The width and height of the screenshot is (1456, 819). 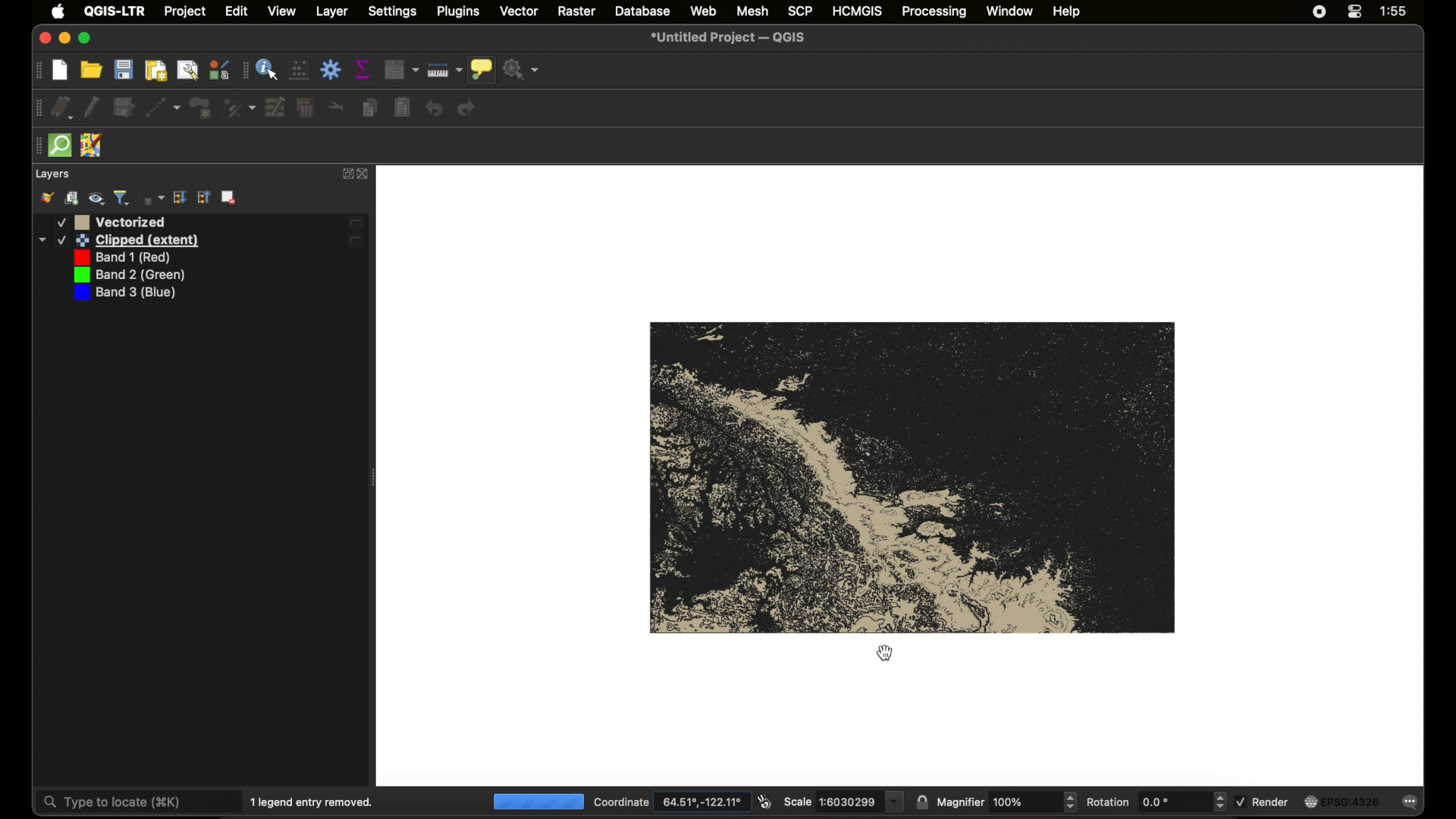 I want to click on QGIS - LTR, so click(x=115, y=11).